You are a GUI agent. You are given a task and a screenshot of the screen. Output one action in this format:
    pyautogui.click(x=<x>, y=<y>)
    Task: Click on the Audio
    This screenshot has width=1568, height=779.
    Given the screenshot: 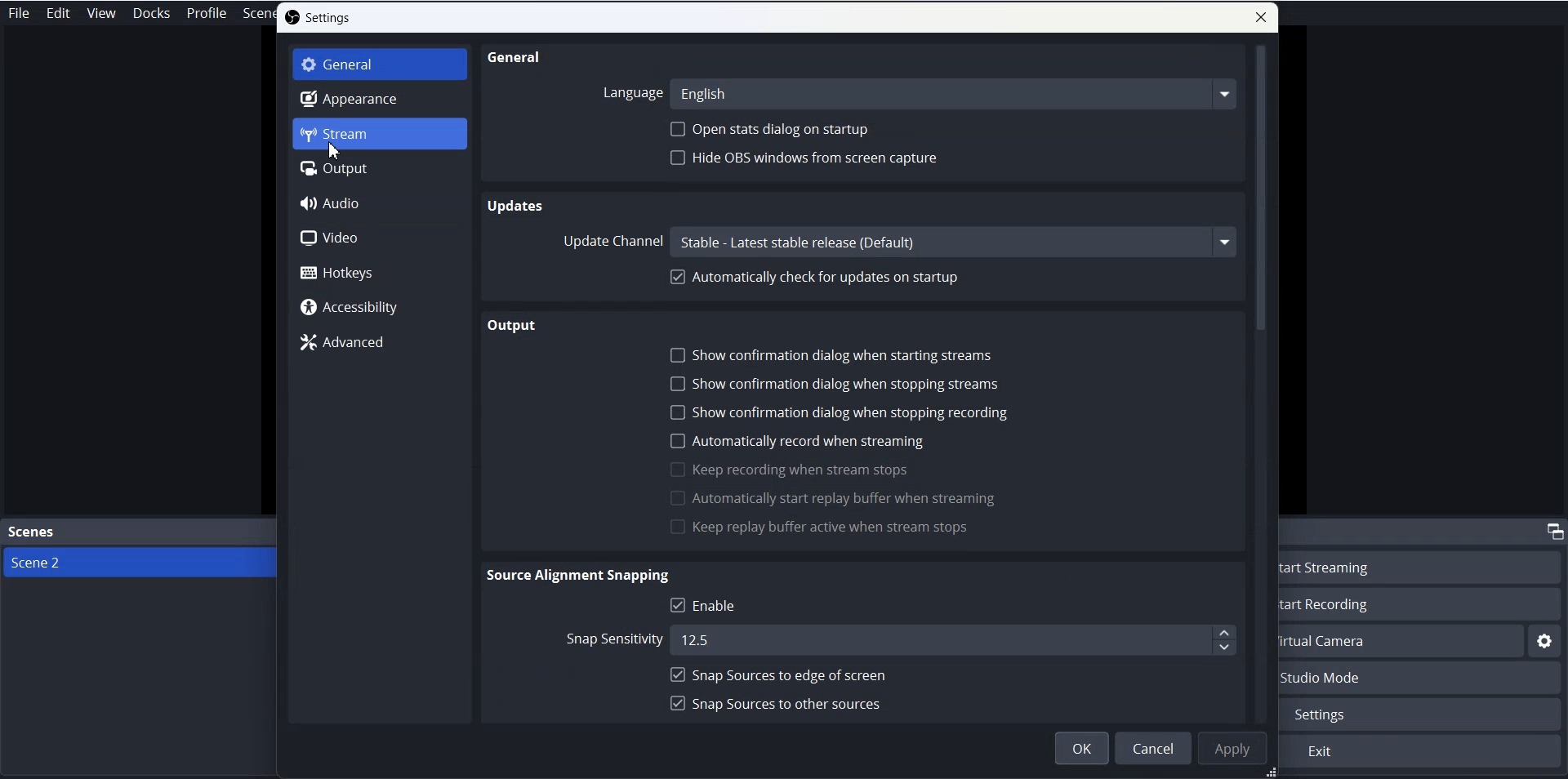 What is the action you would take?
    pyautogui.click(x=377, y=203)
    